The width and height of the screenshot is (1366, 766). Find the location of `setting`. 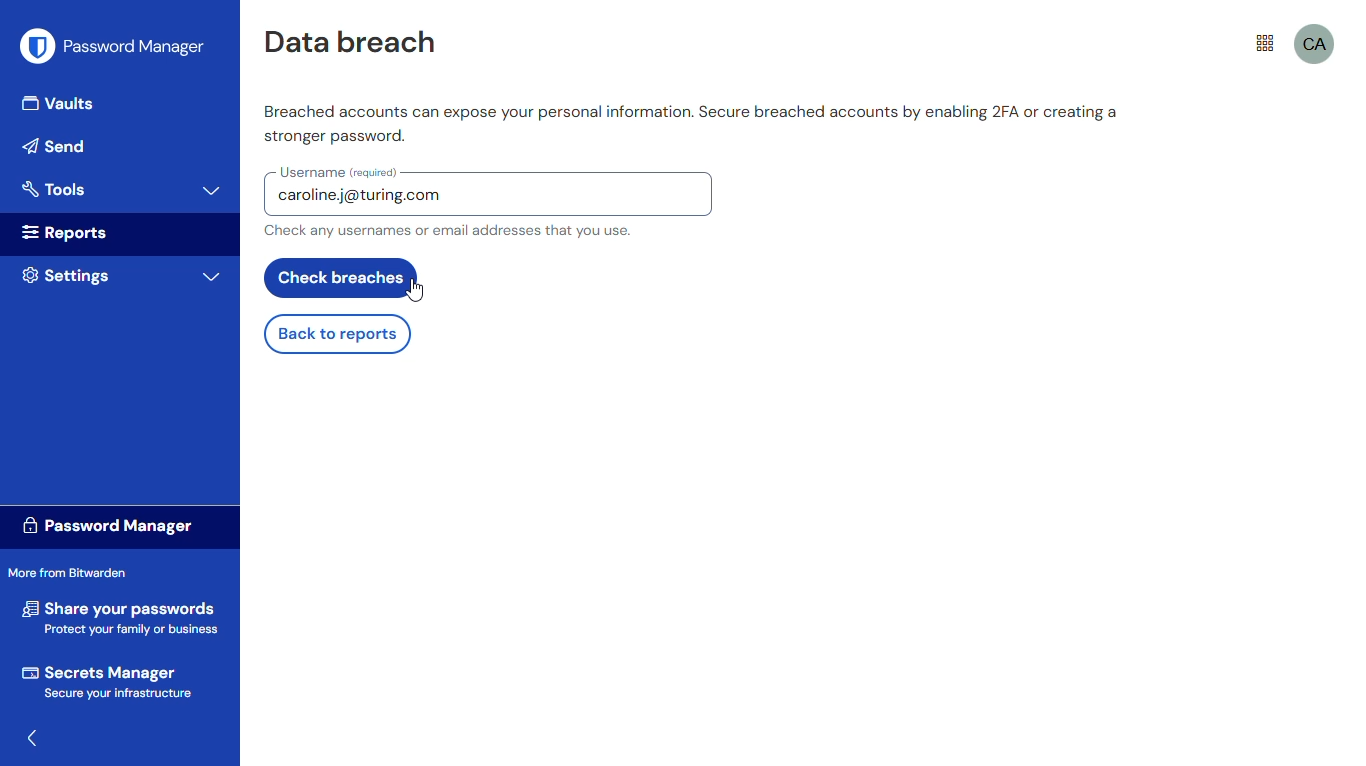

setting is located at coordinates (66, 275).